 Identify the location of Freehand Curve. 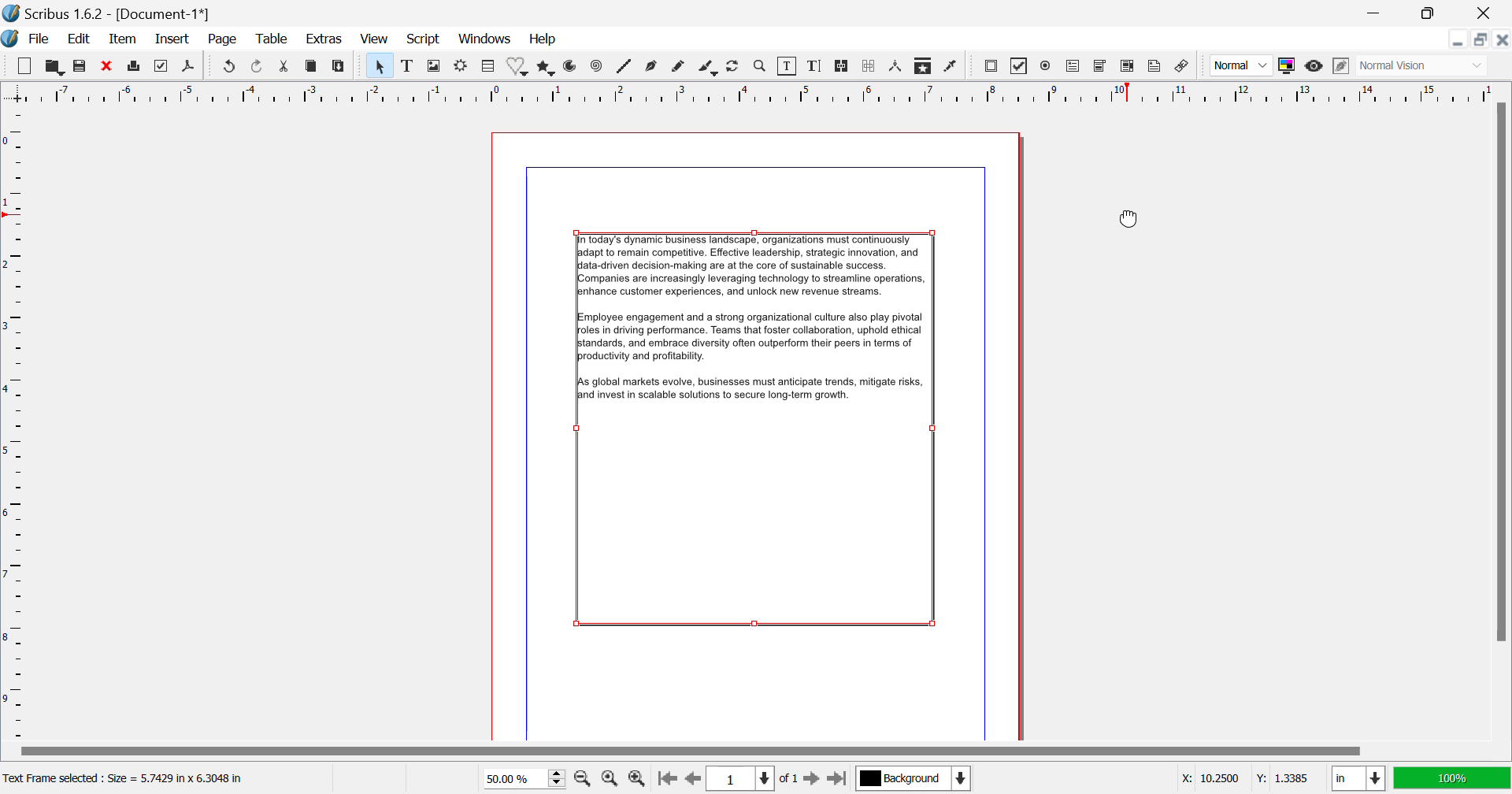
(676, 67).